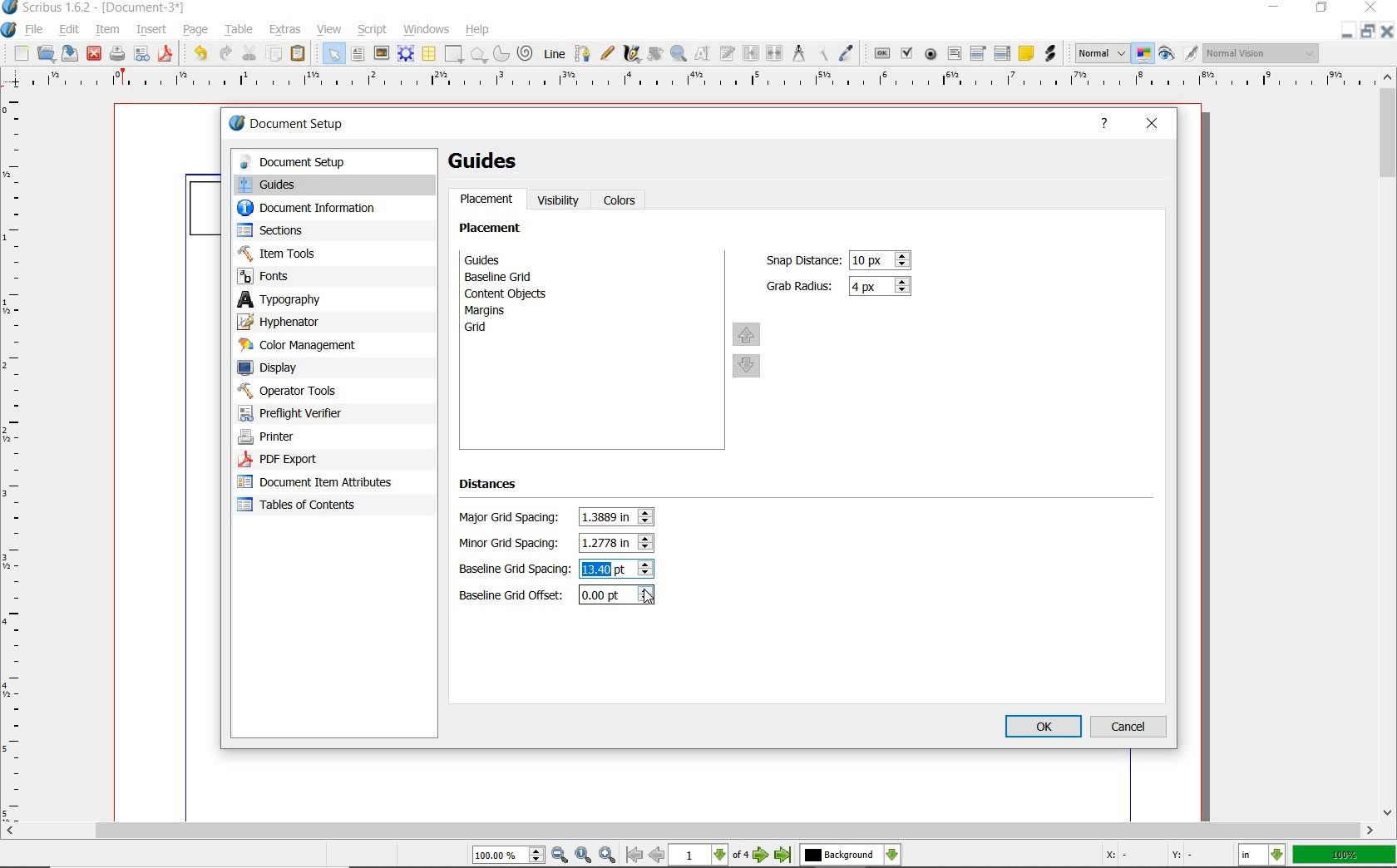  Describe the element at coordinates (1143, 54) in the screenshot. I see `toggle color management` at that location.